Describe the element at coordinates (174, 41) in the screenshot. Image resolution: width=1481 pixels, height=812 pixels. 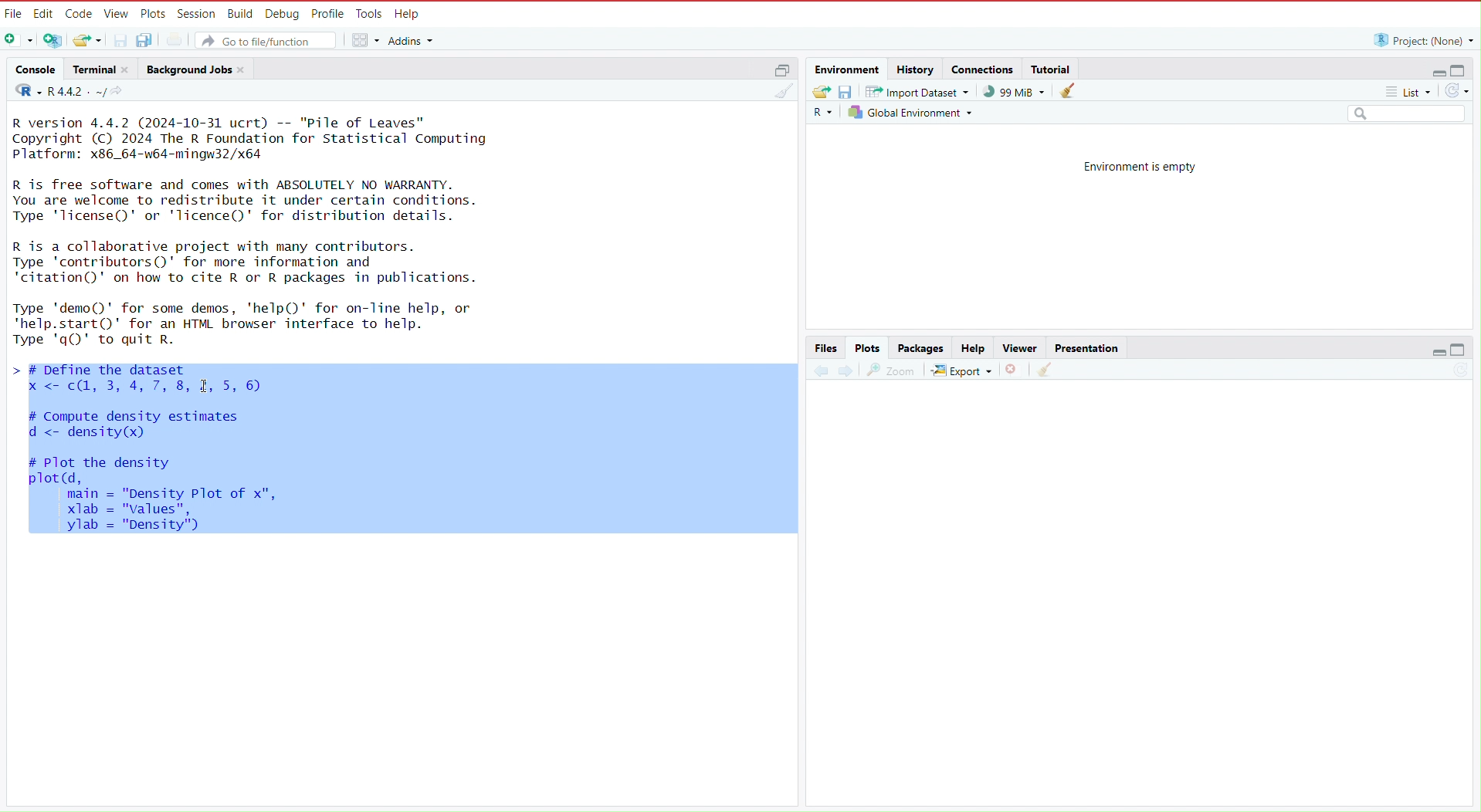
I see `print the current file` at that location.